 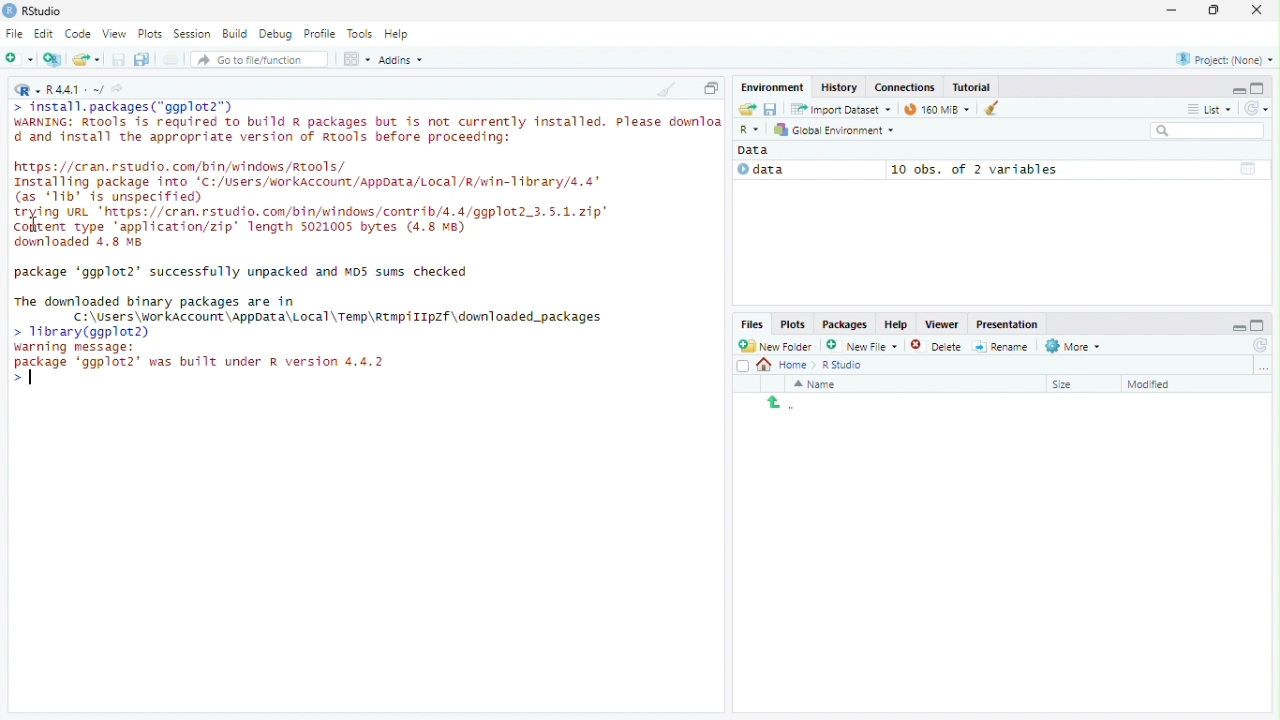 I want to click on Debug, so click(x=278, y=34).